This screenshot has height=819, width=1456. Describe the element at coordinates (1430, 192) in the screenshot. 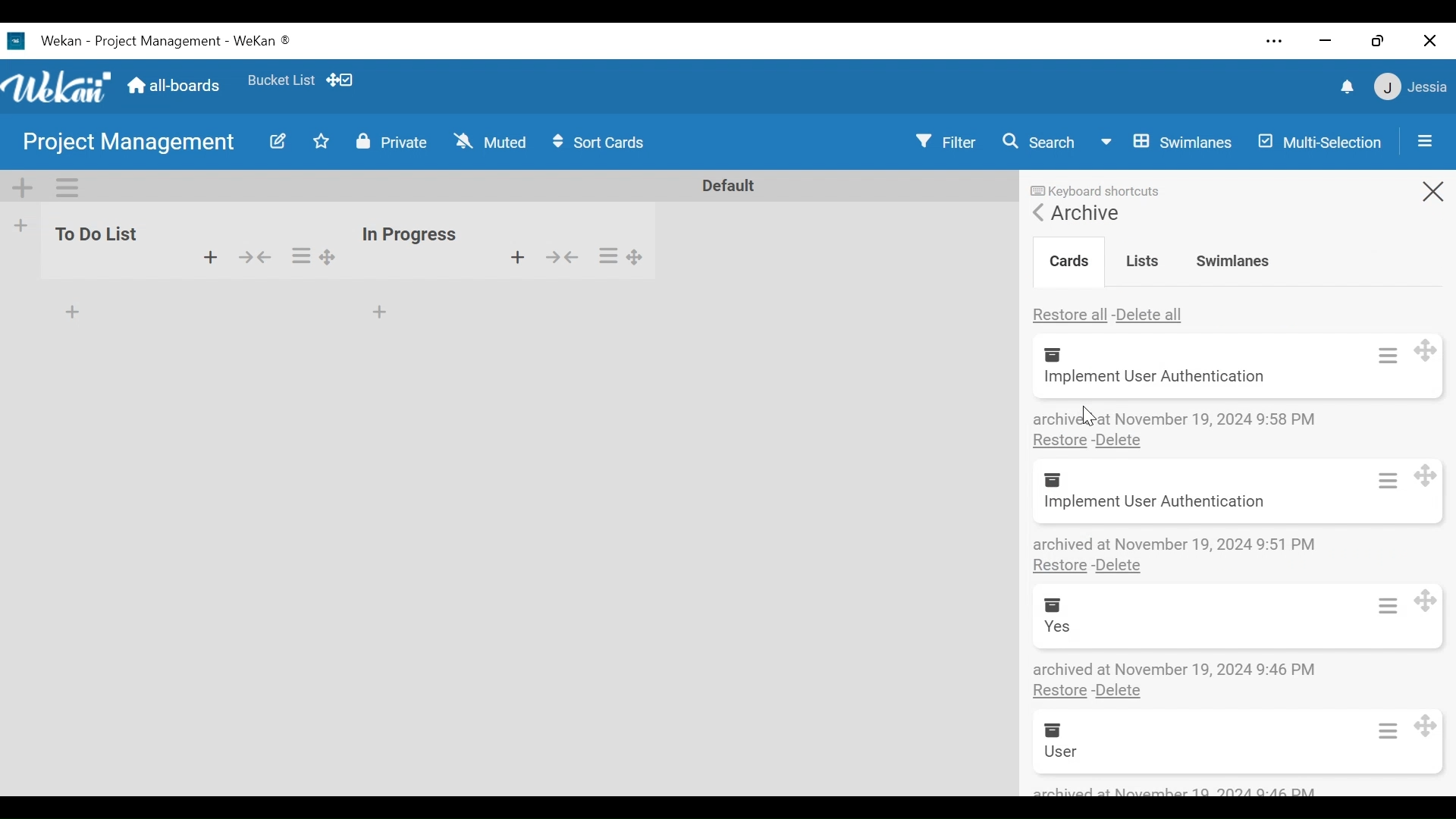

I see `Close` at that location.